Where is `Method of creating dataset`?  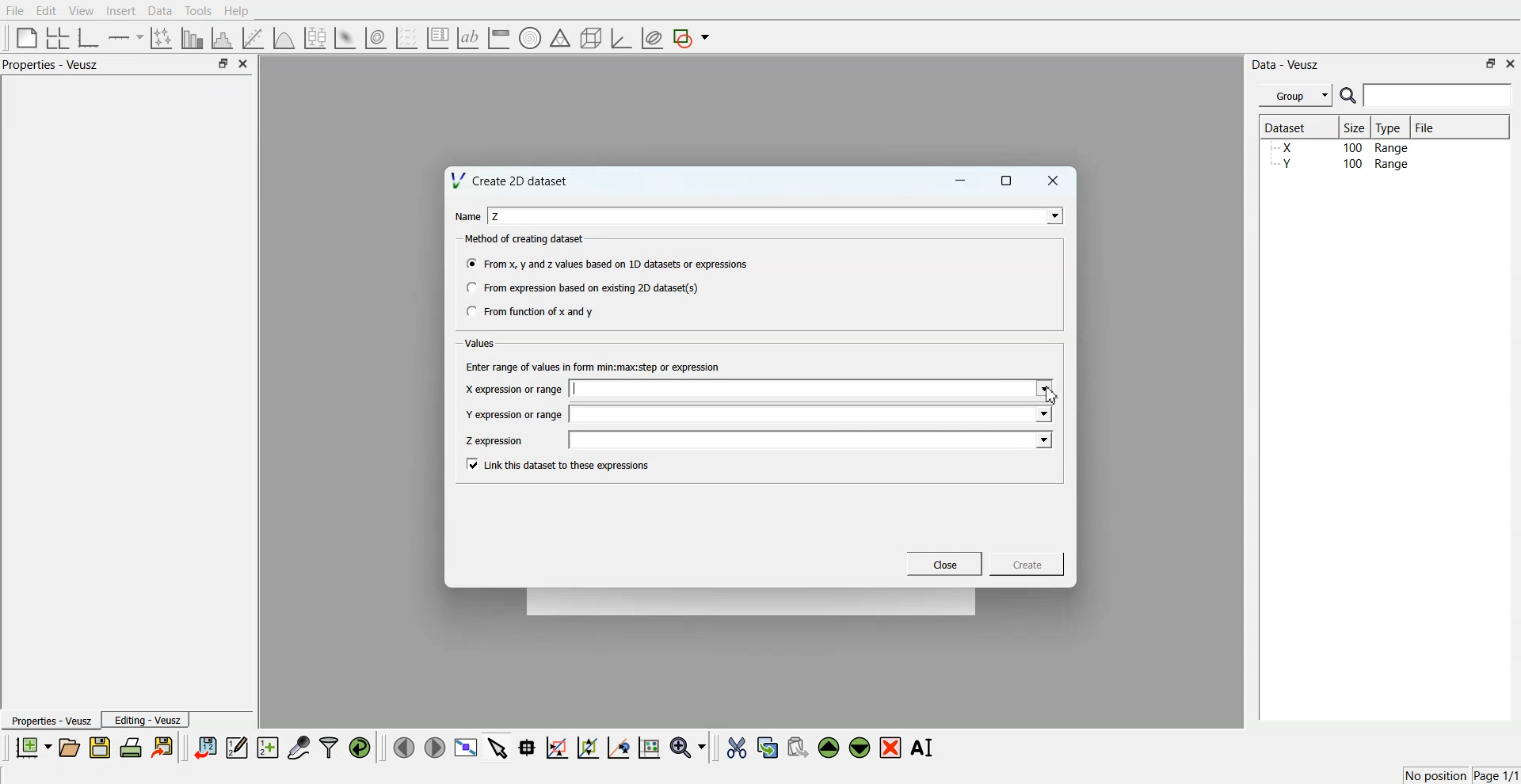 Method of creating dataset is located at coordinates (526, 239).